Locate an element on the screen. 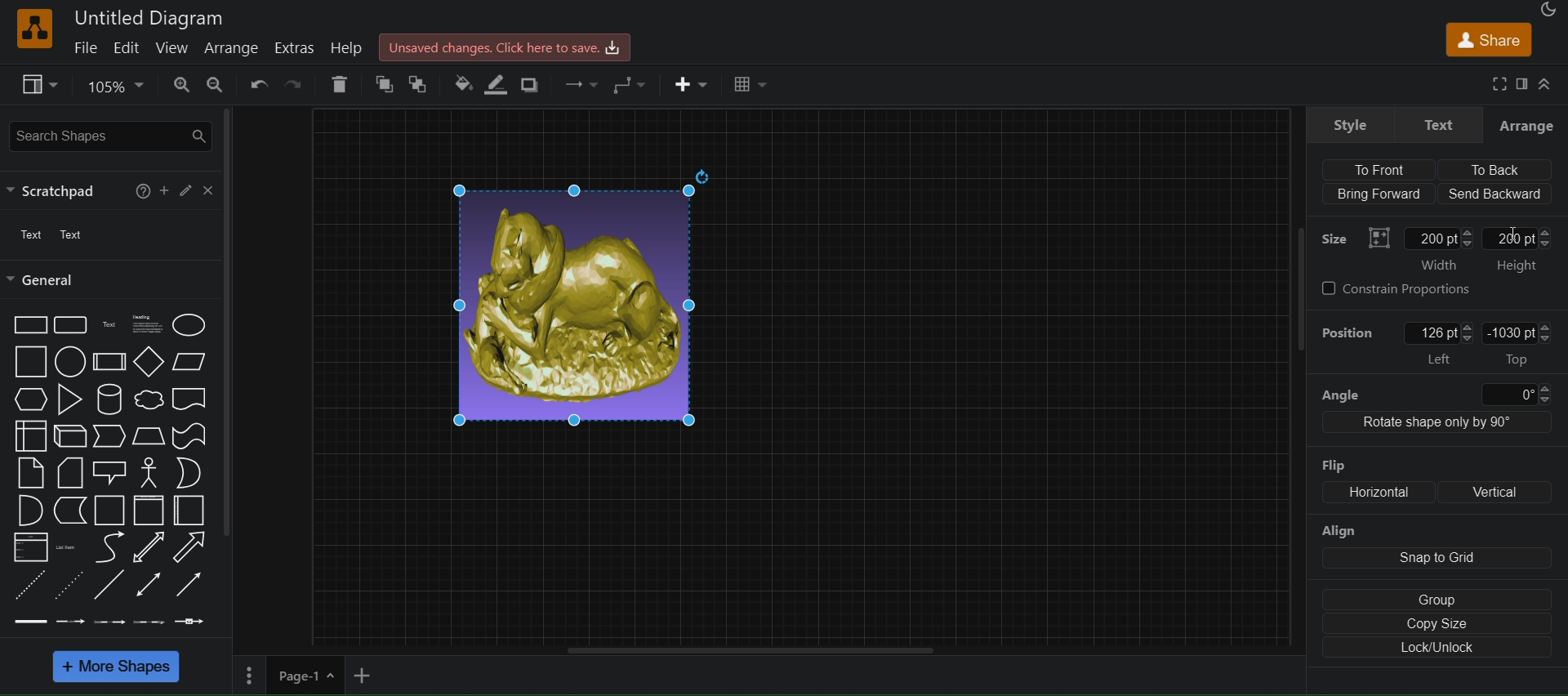 This screenshot has height=696, width=1568. To back (align) is located at coordinates (1499, 170).